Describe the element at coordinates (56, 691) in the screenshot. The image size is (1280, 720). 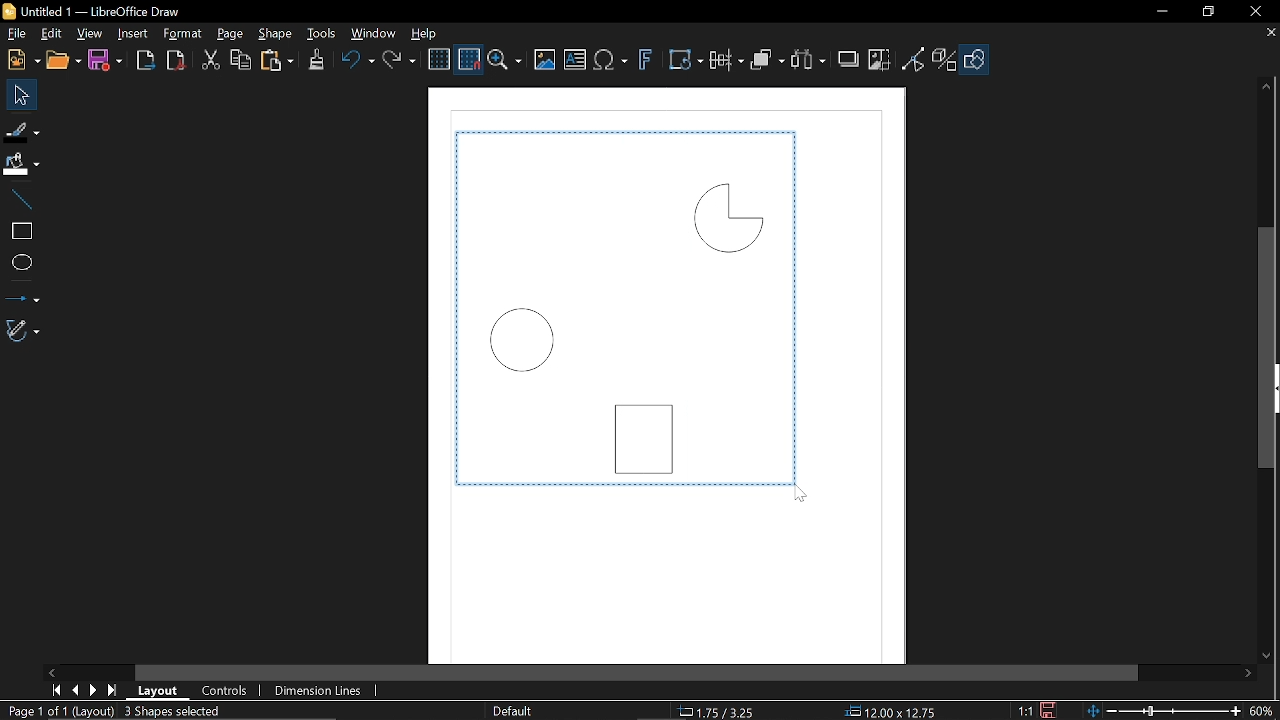
I see `First page` at that location.